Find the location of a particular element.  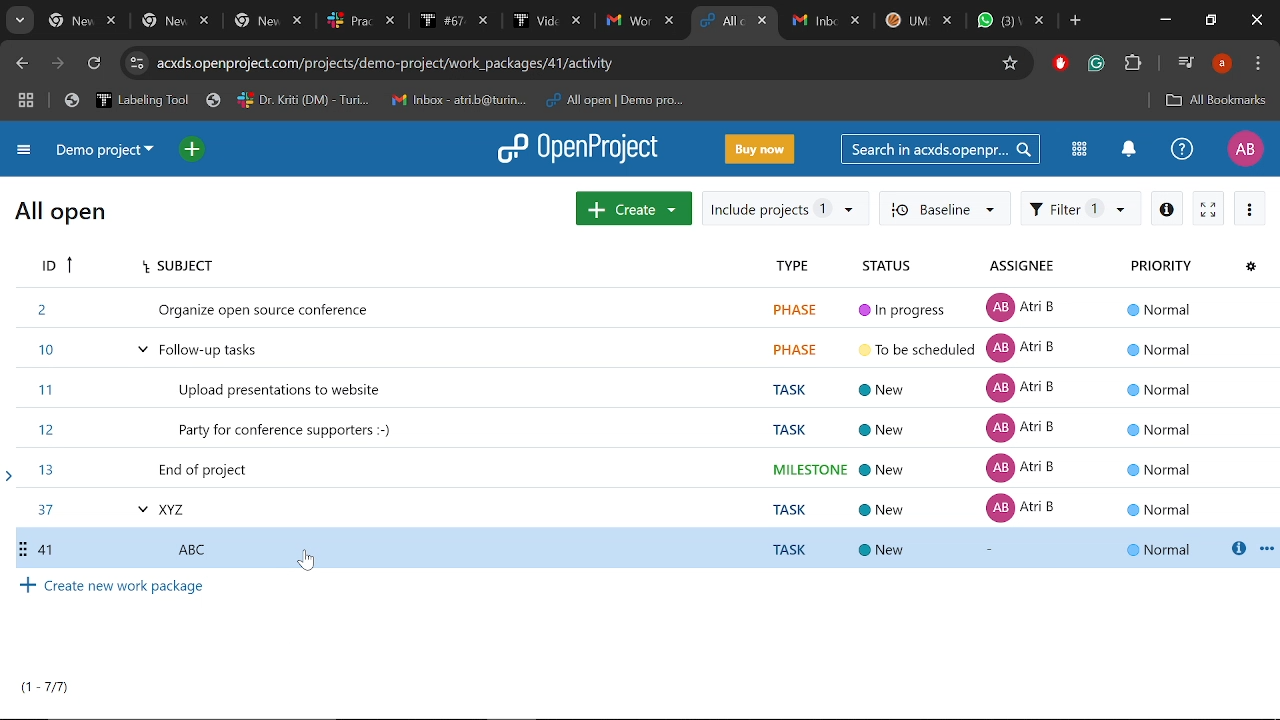

Control and customize chrome is located at coordinates (1258, 64).